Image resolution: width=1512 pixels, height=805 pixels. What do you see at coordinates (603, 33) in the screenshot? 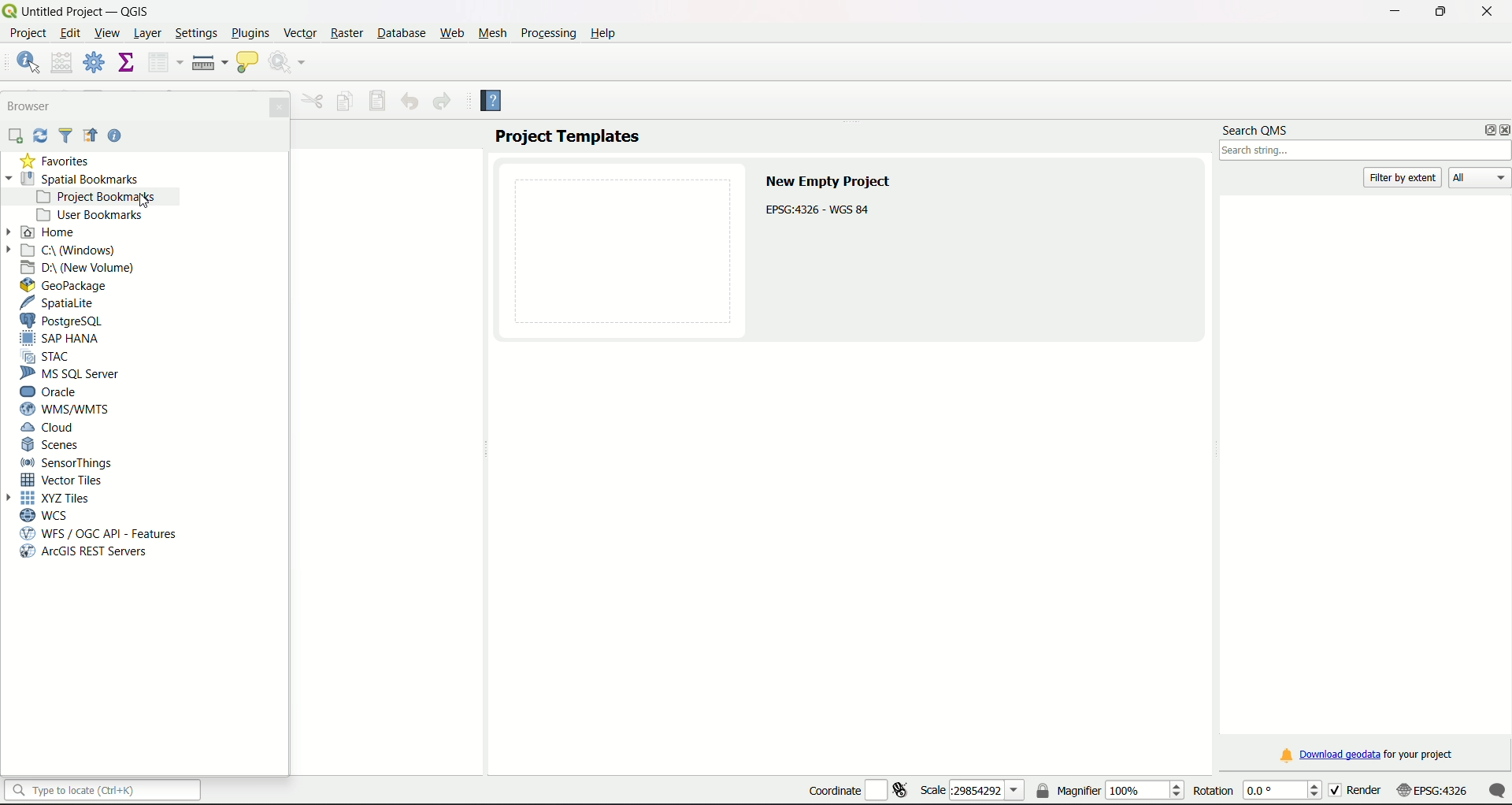
I see `Help` at bounding box center [603, 33].